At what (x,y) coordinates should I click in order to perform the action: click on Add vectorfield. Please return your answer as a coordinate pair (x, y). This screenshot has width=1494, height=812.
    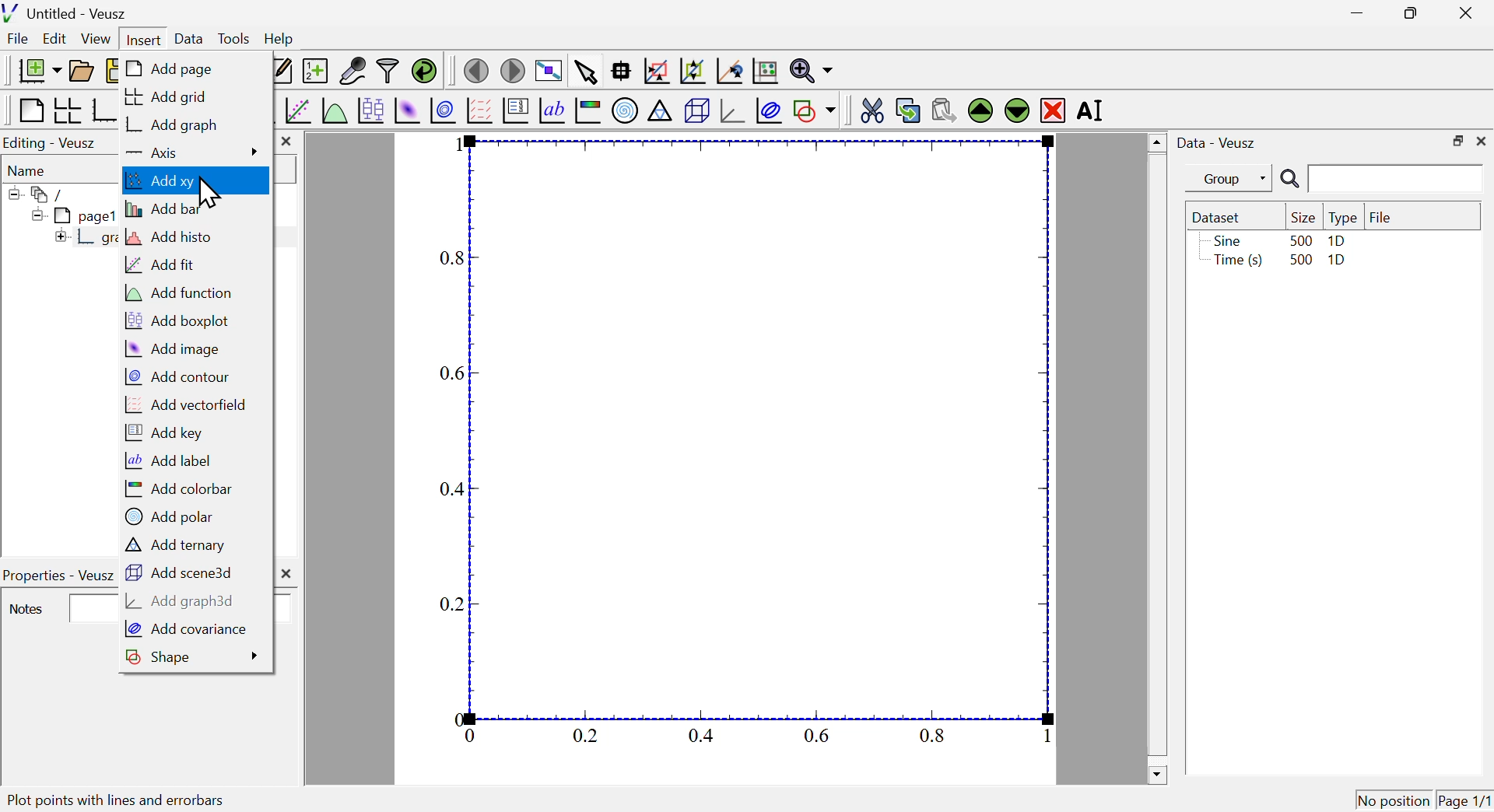
    Looking at the image, I should click on (184, 404).